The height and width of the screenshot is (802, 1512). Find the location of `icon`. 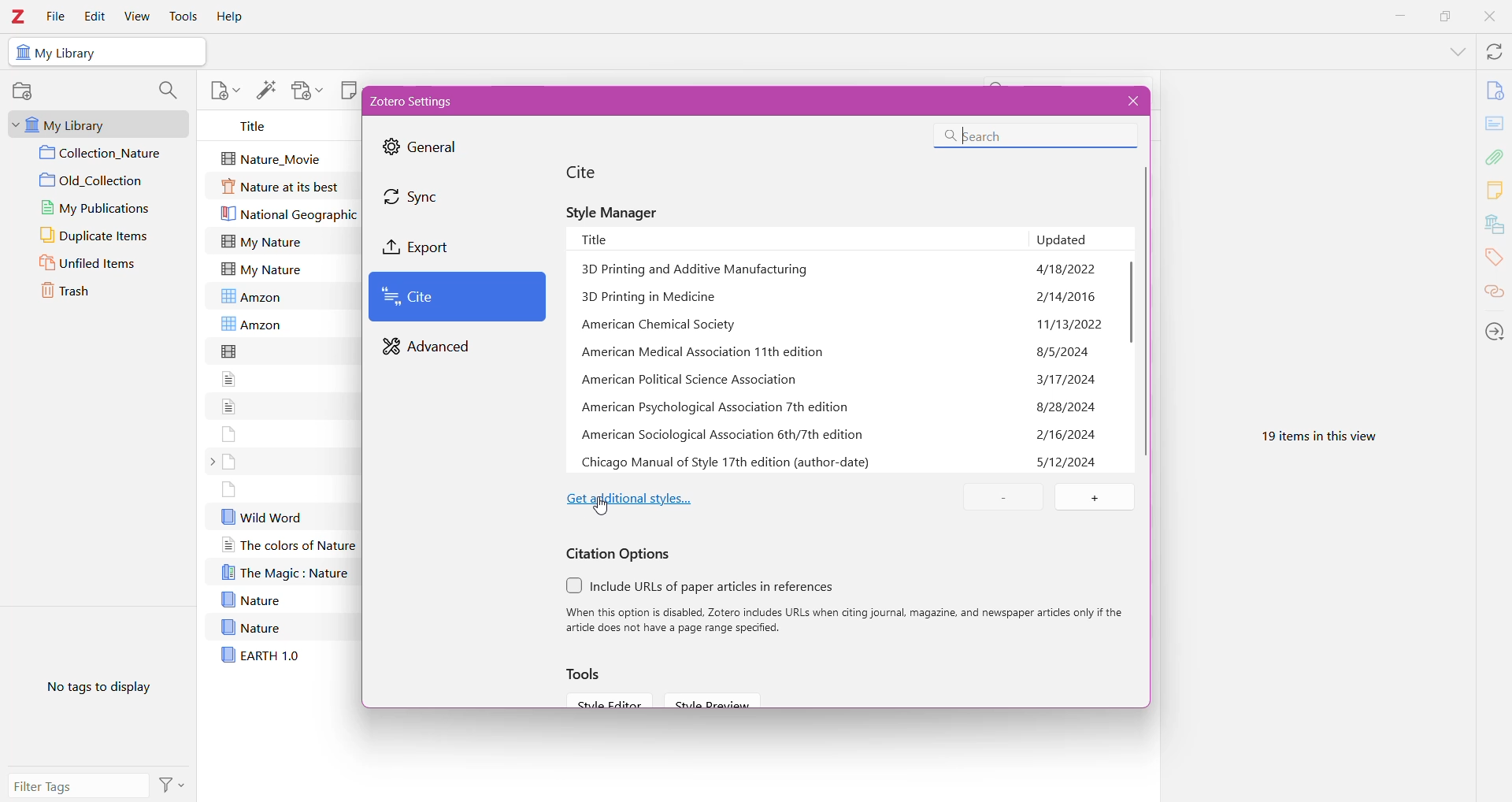

icon is located at coordinates (21, 53).